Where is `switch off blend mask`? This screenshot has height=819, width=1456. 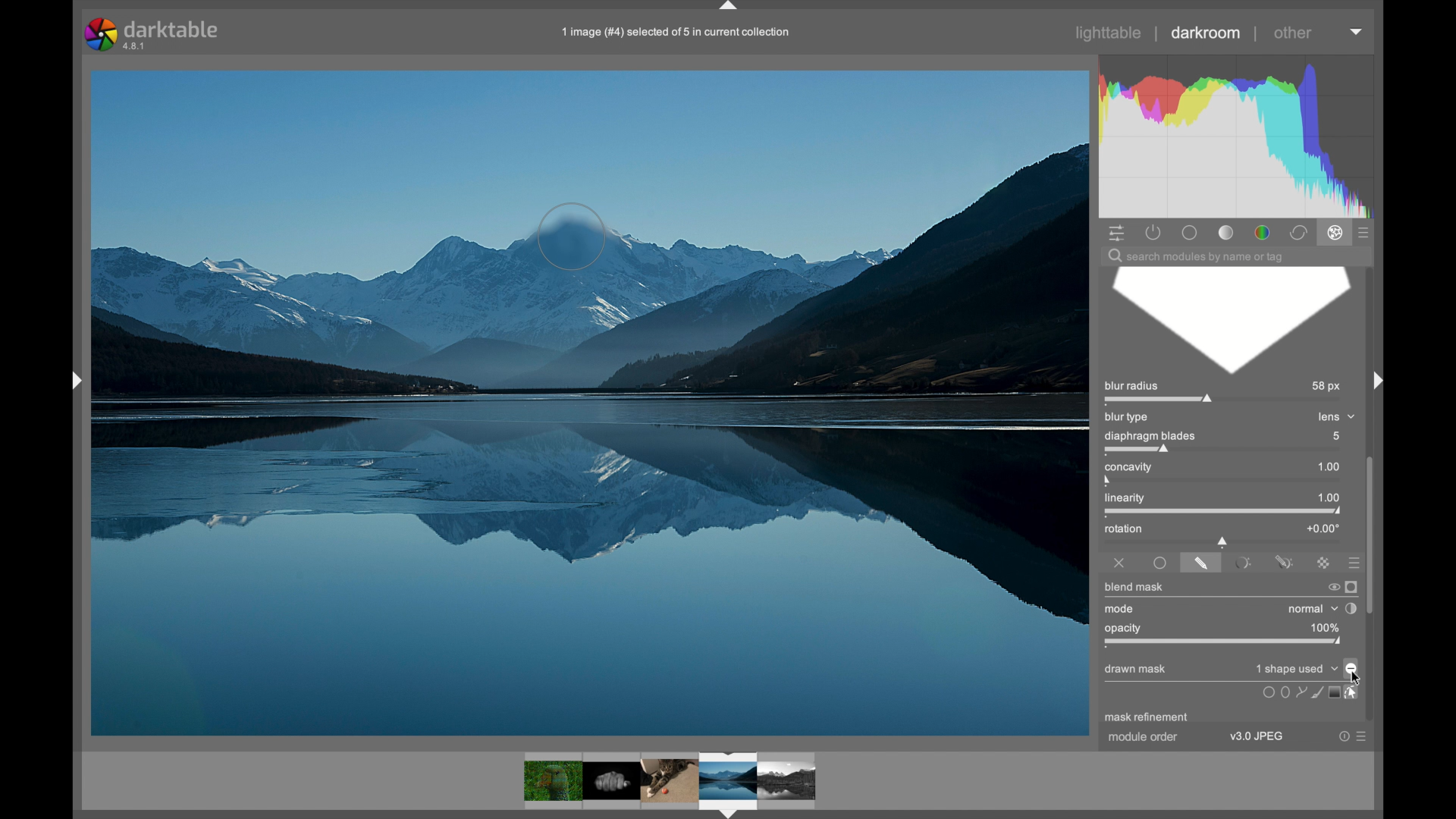
switch off blend mask is located at coordinates (1330, 587).